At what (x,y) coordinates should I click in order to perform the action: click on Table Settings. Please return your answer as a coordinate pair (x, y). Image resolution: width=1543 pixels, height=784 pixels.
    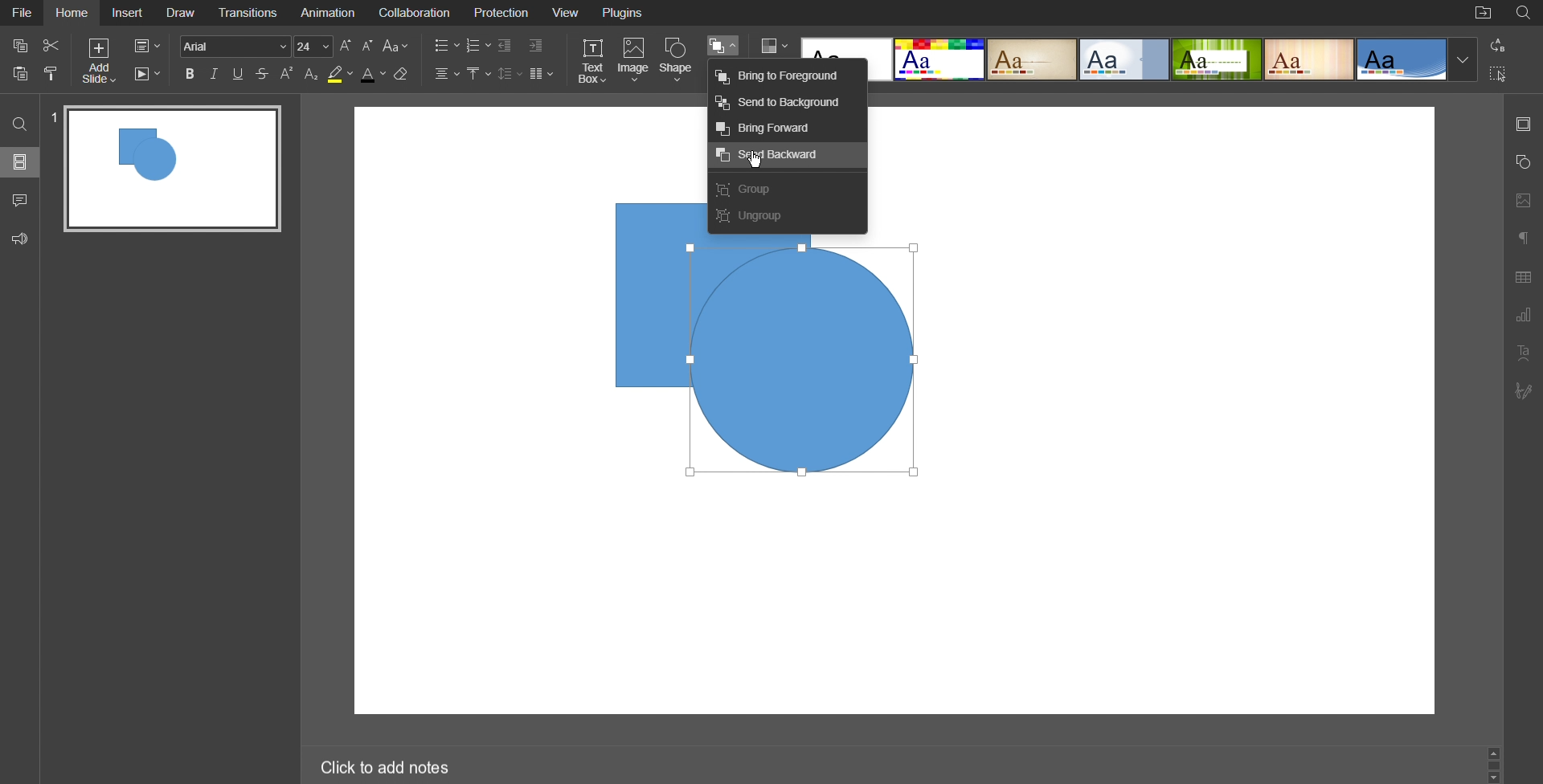
    Looking at the image, I should click on (1522, 278).